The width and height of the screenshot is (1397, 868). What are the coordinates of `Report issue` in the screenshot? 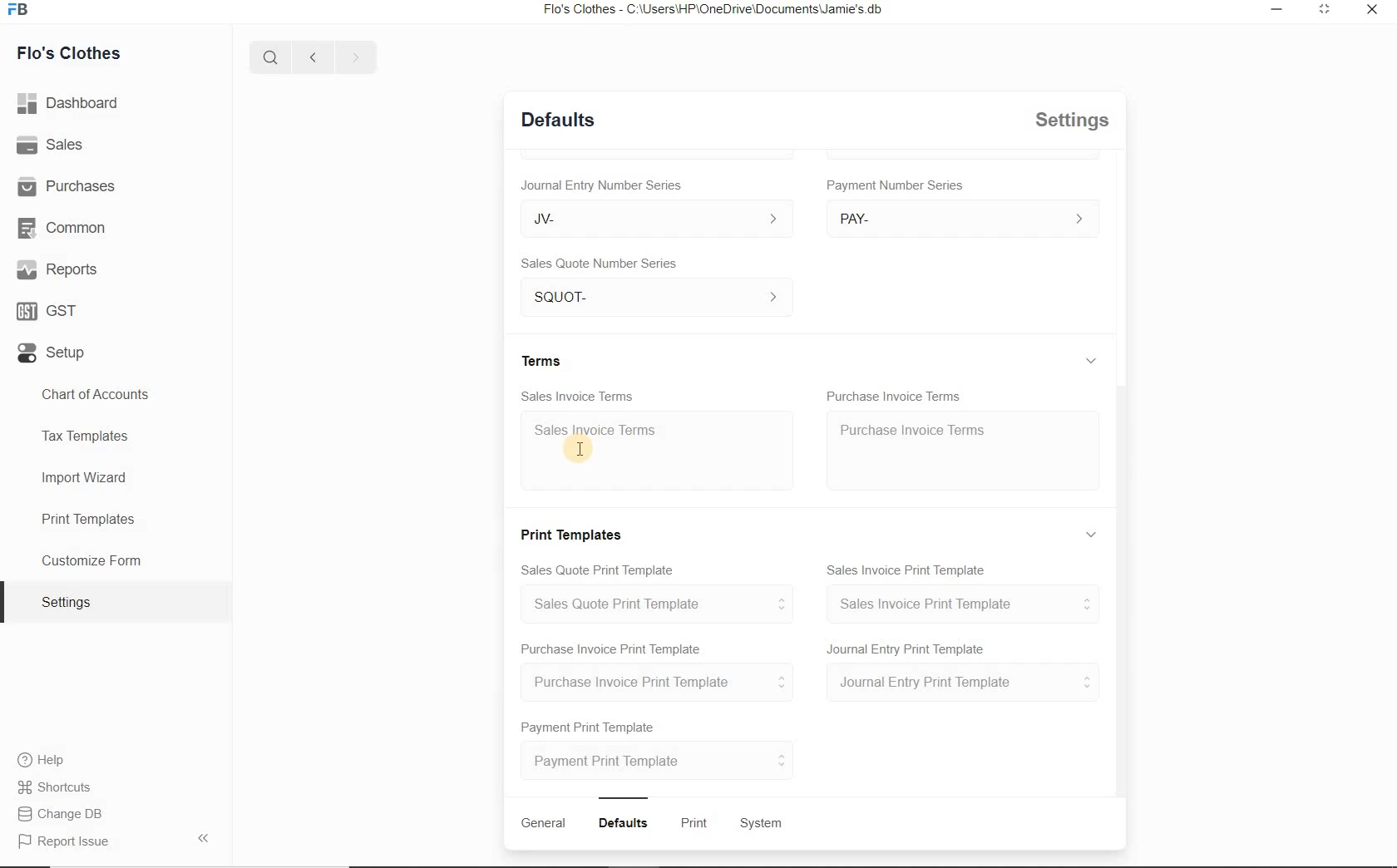 It's located at (65, 842).